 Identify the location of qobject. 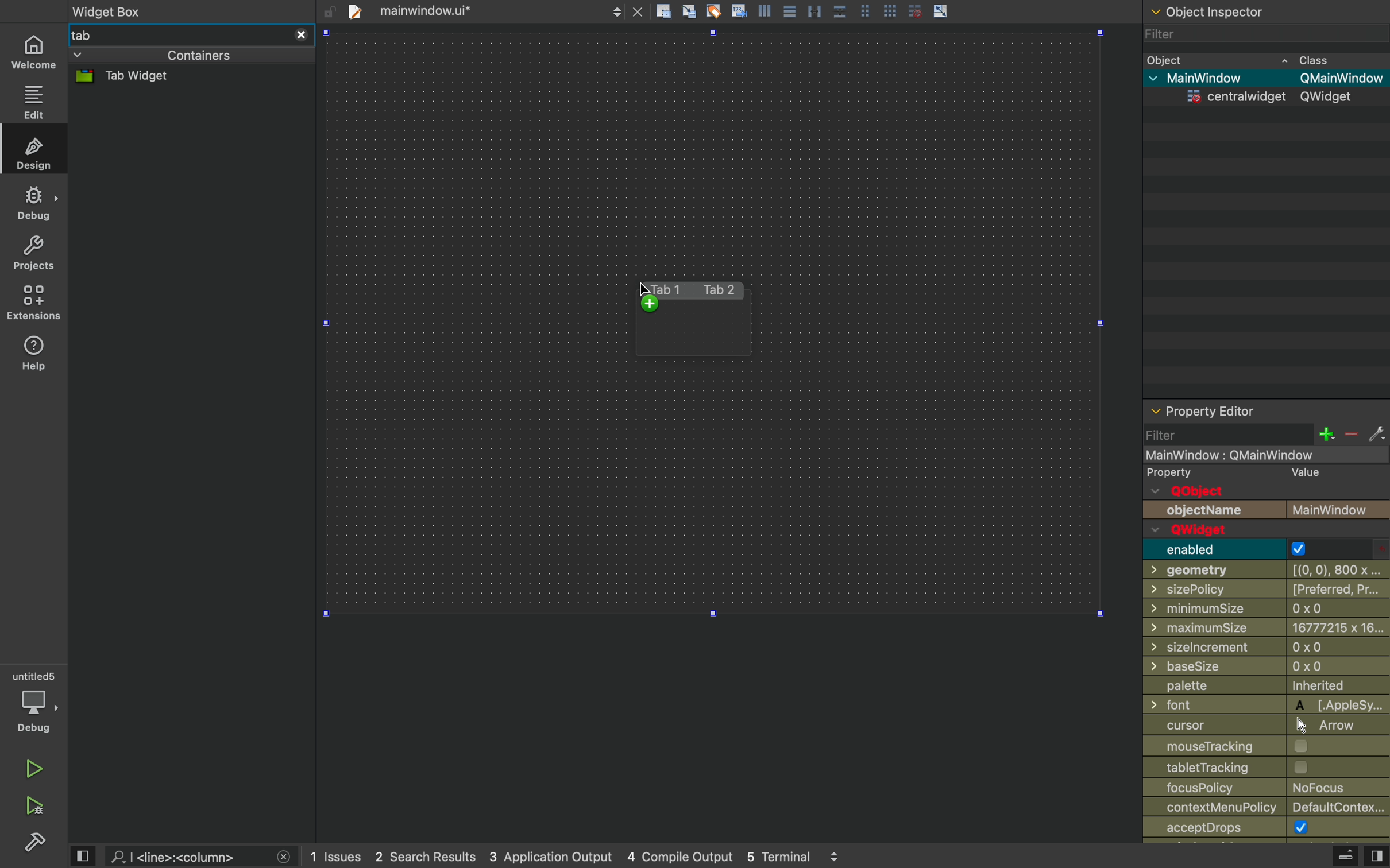
(1227, 491).